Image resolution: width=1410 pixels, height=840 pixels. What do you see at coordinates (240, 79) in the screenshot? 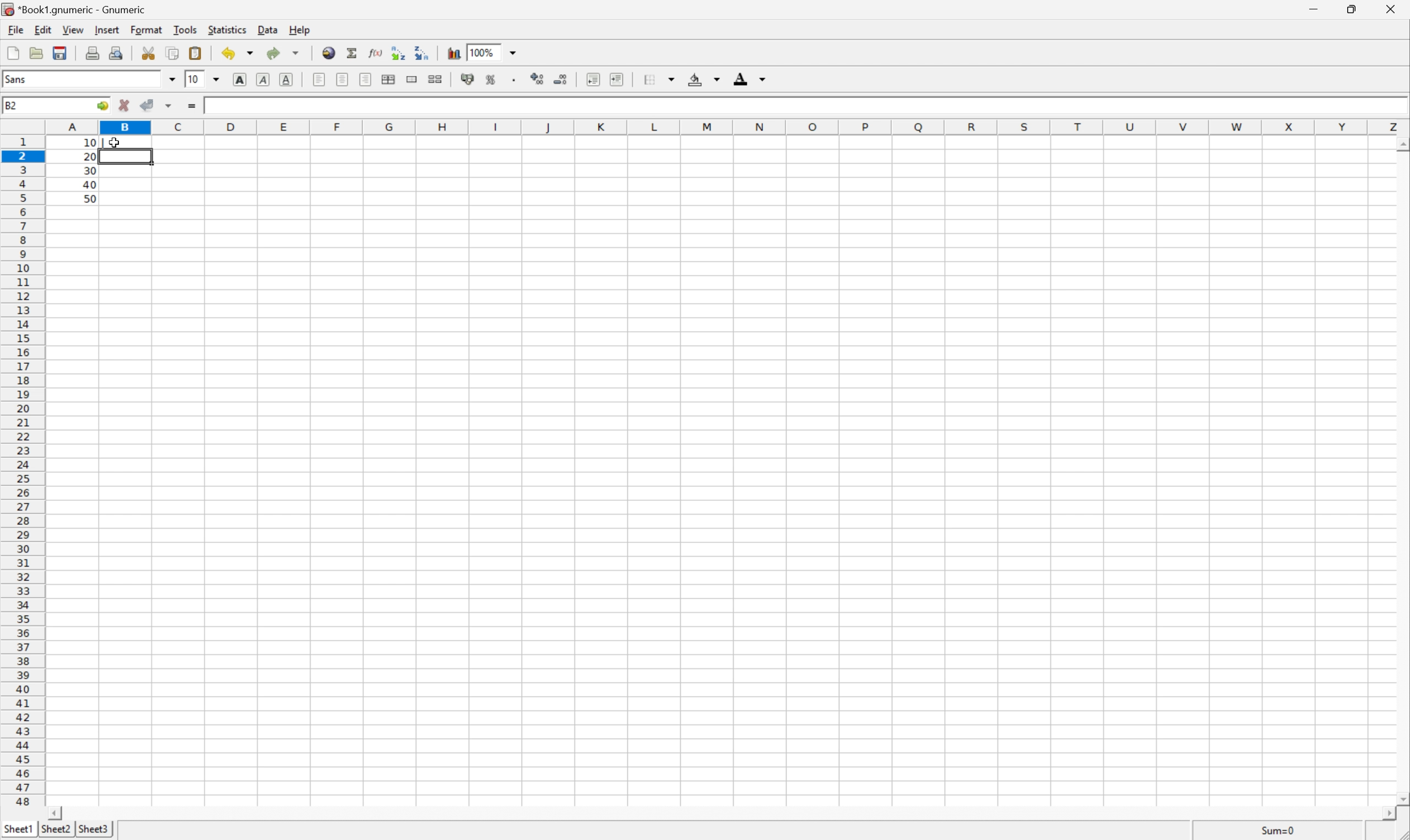
I see `Bold` at bounding box center [240, 79].